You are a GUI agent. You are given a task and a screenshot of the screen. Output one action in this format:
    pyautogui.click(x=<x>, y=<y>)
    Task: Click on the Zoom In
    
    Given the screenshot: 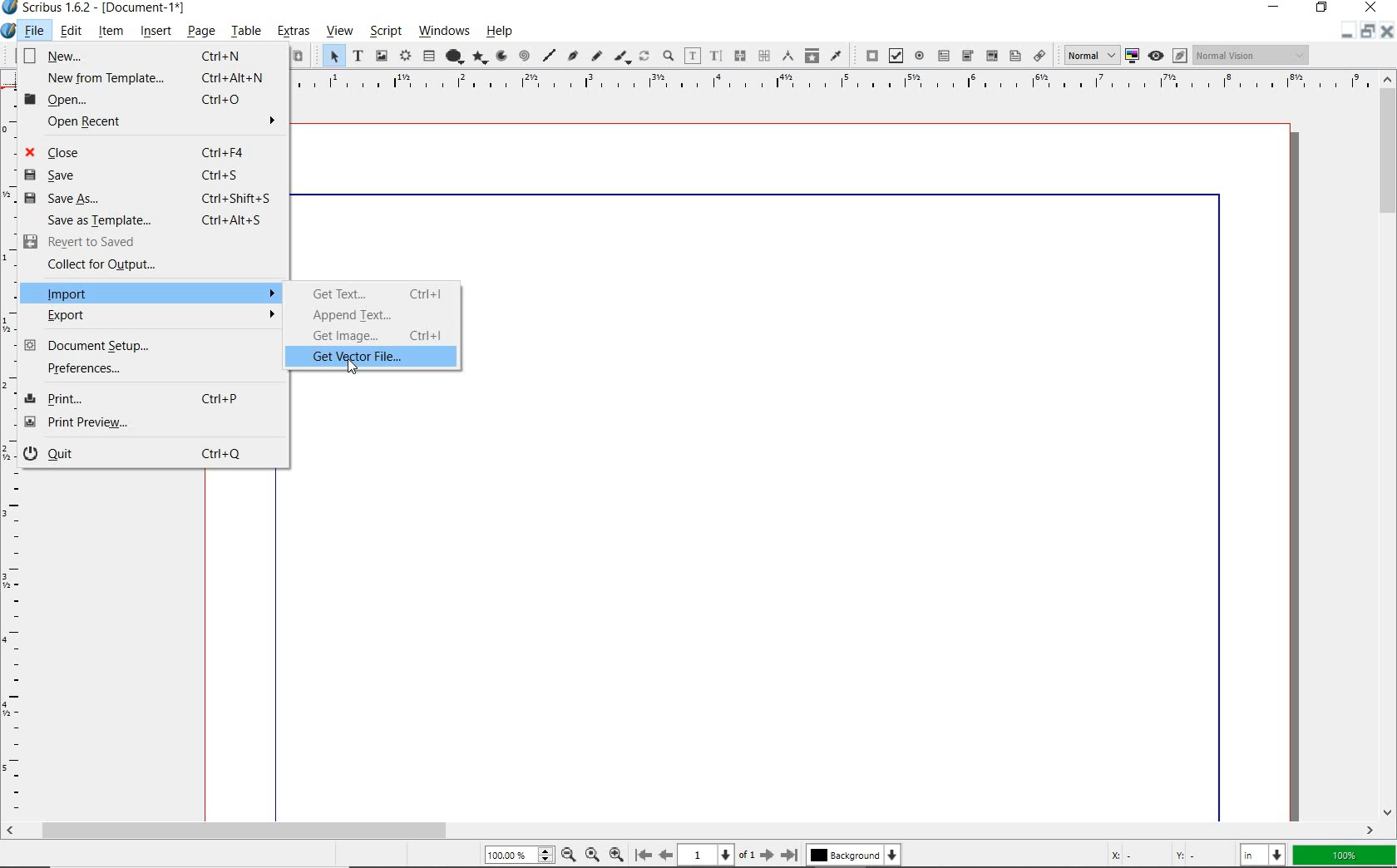 What is the action you would take?
    pyautogui.click(x=616, y=856)
    